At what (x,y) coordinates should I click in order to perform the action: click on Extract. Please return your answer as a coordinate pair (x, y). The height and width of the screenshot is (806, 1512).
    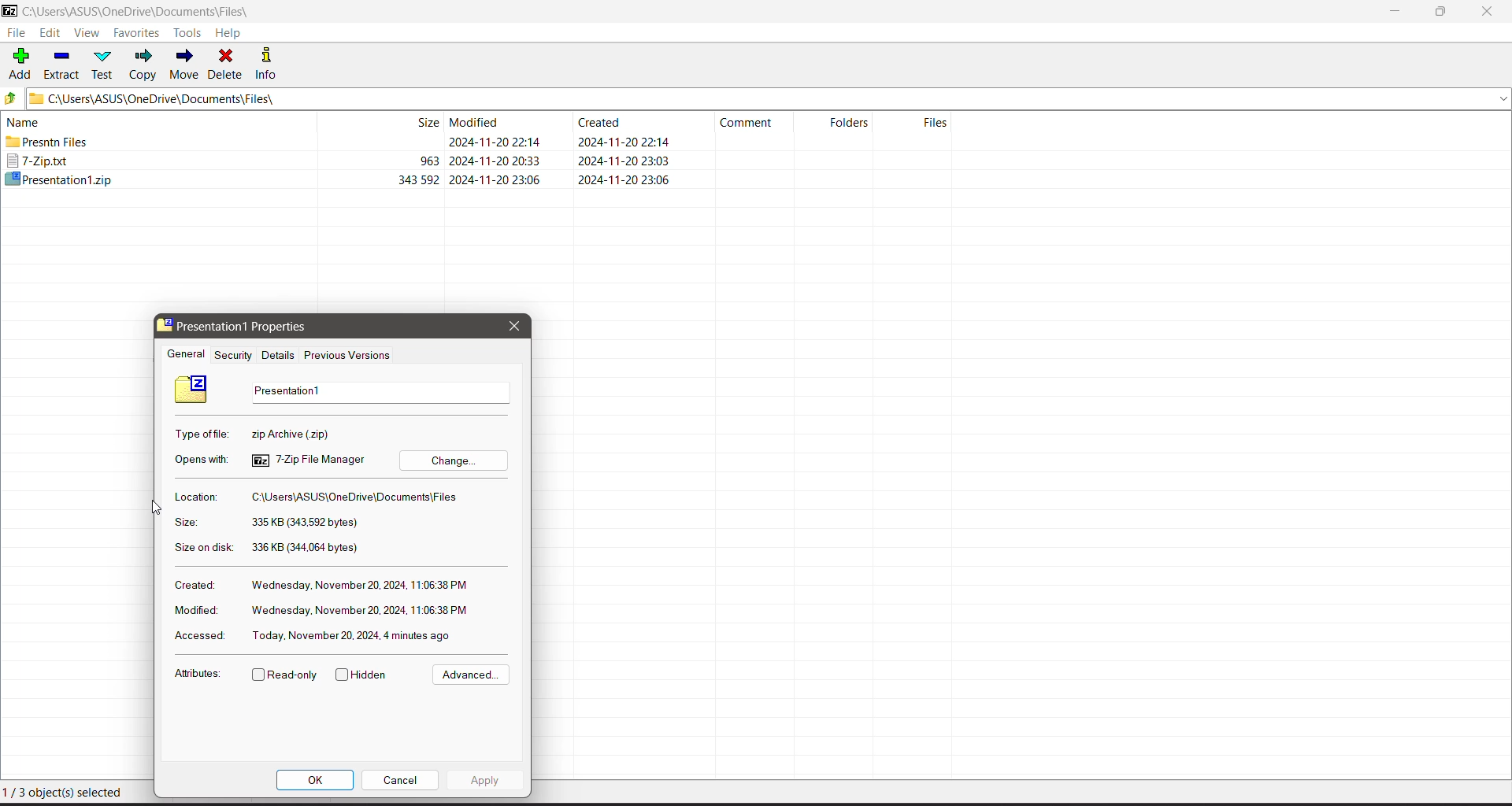
    Looking at the image, I should click on (62, 63).